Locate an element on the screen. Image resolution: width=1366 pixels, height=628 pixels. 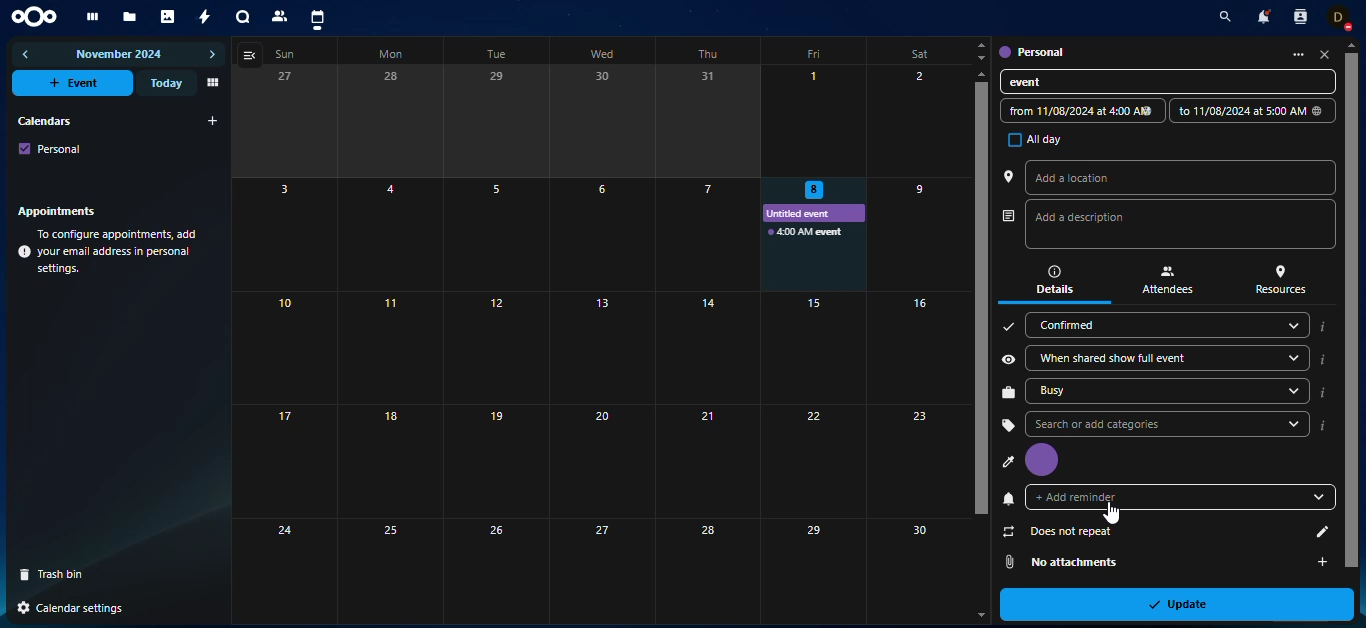
when shared show full event is located at coordinates (1109, 356).